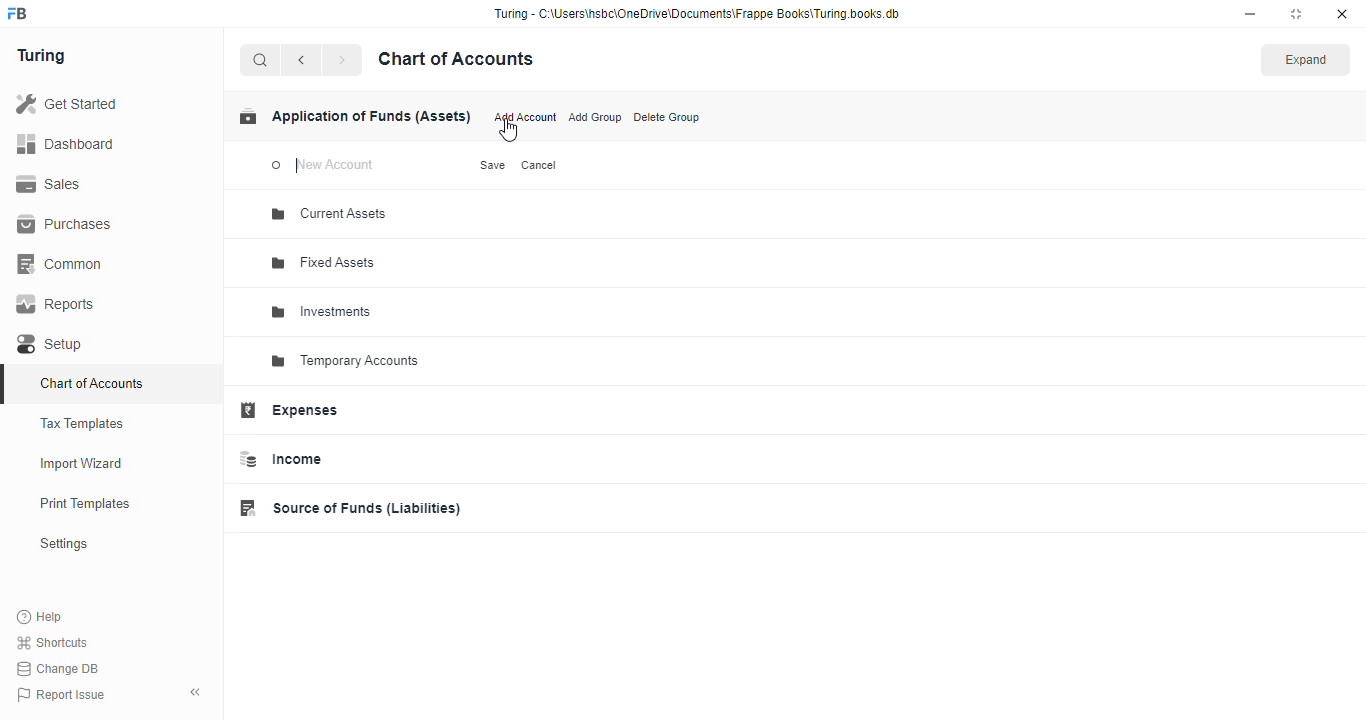  Describe the element at coordinates (18, 13) in the screenshot. I see `logo` at that location.